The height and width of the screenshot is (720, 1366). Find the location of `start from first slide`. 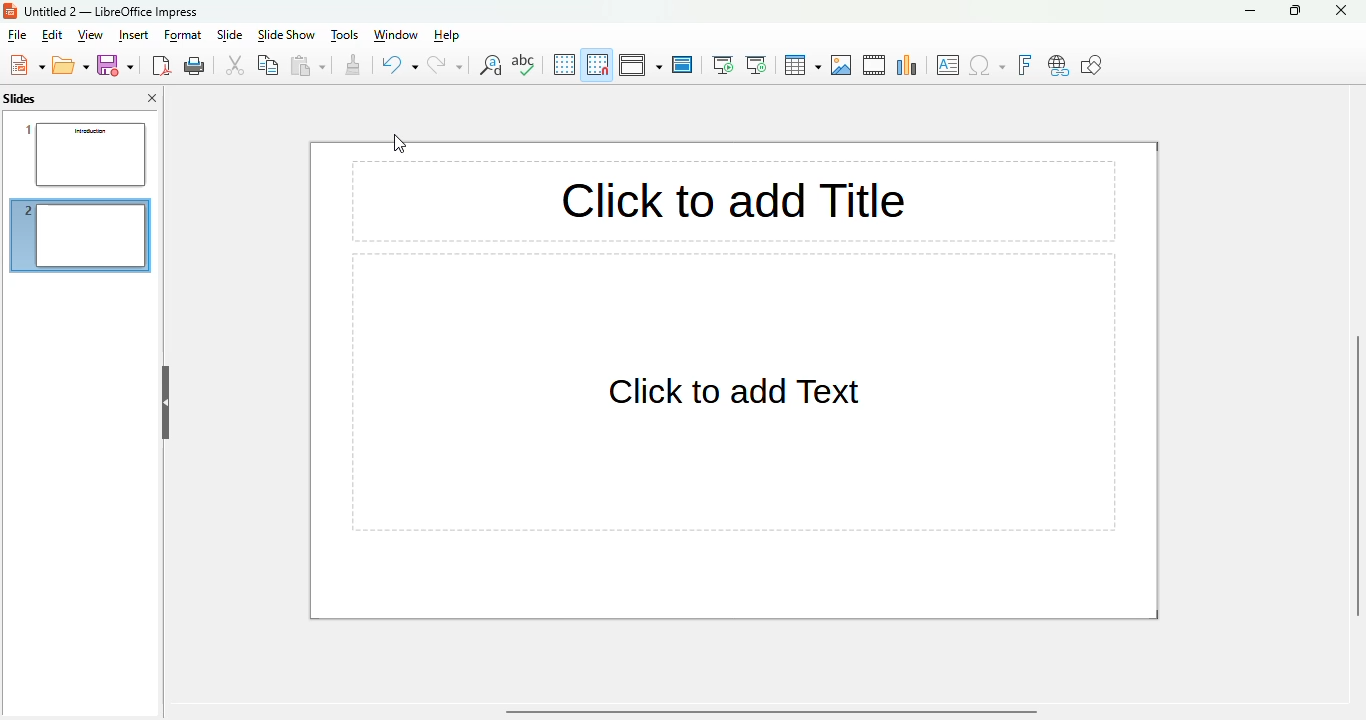

start from first slide is located at coordinates (723, 65).